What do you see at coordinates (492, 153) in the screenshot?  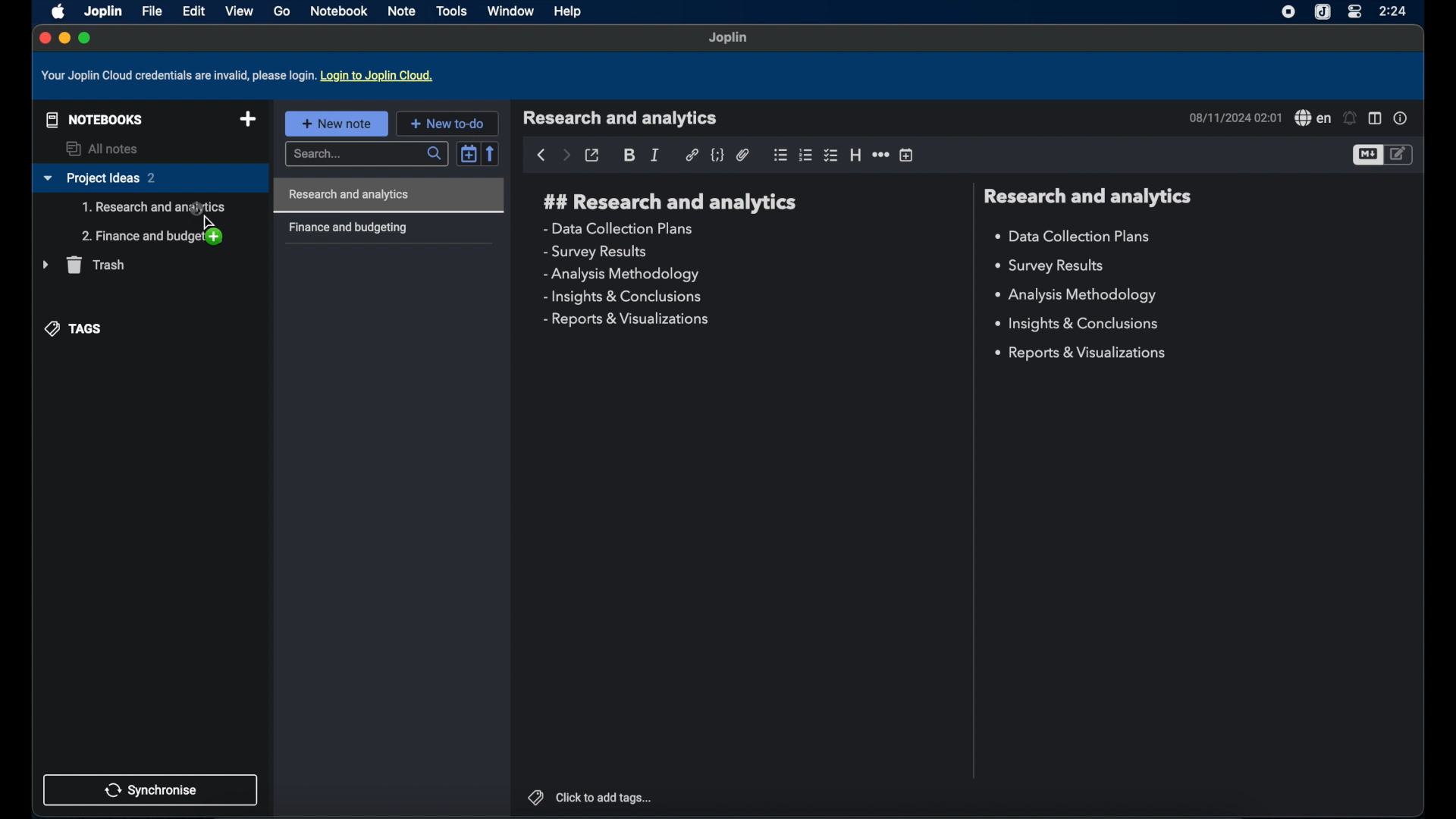 I see `reverse sort order` at bounding box center [492, 153].